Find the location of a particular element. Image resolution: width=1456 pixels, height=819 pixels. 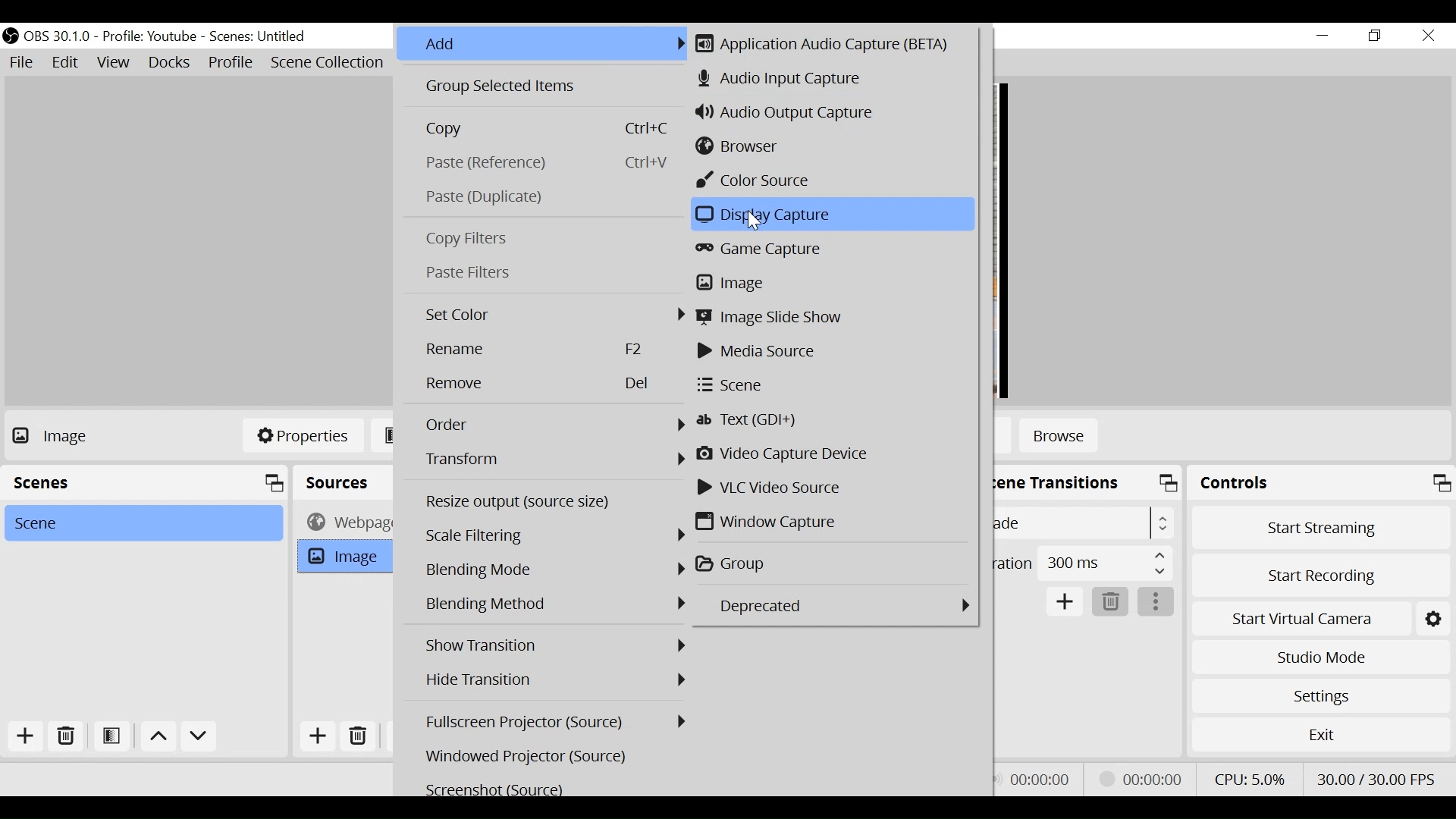

Group is located at coordinates (835, 564).